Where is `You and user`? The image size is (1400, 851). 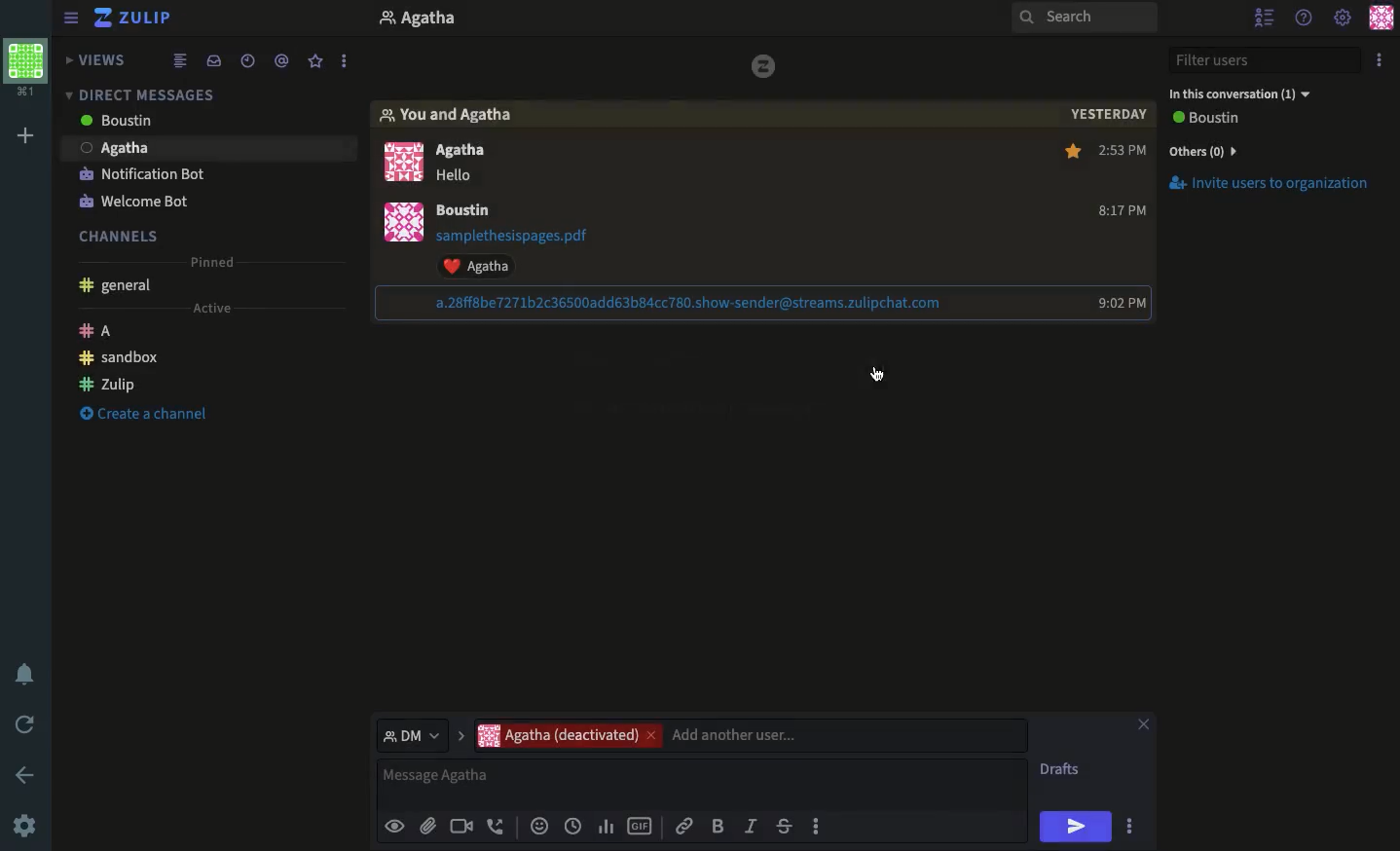 You and user is located at coordinates (457, 116).